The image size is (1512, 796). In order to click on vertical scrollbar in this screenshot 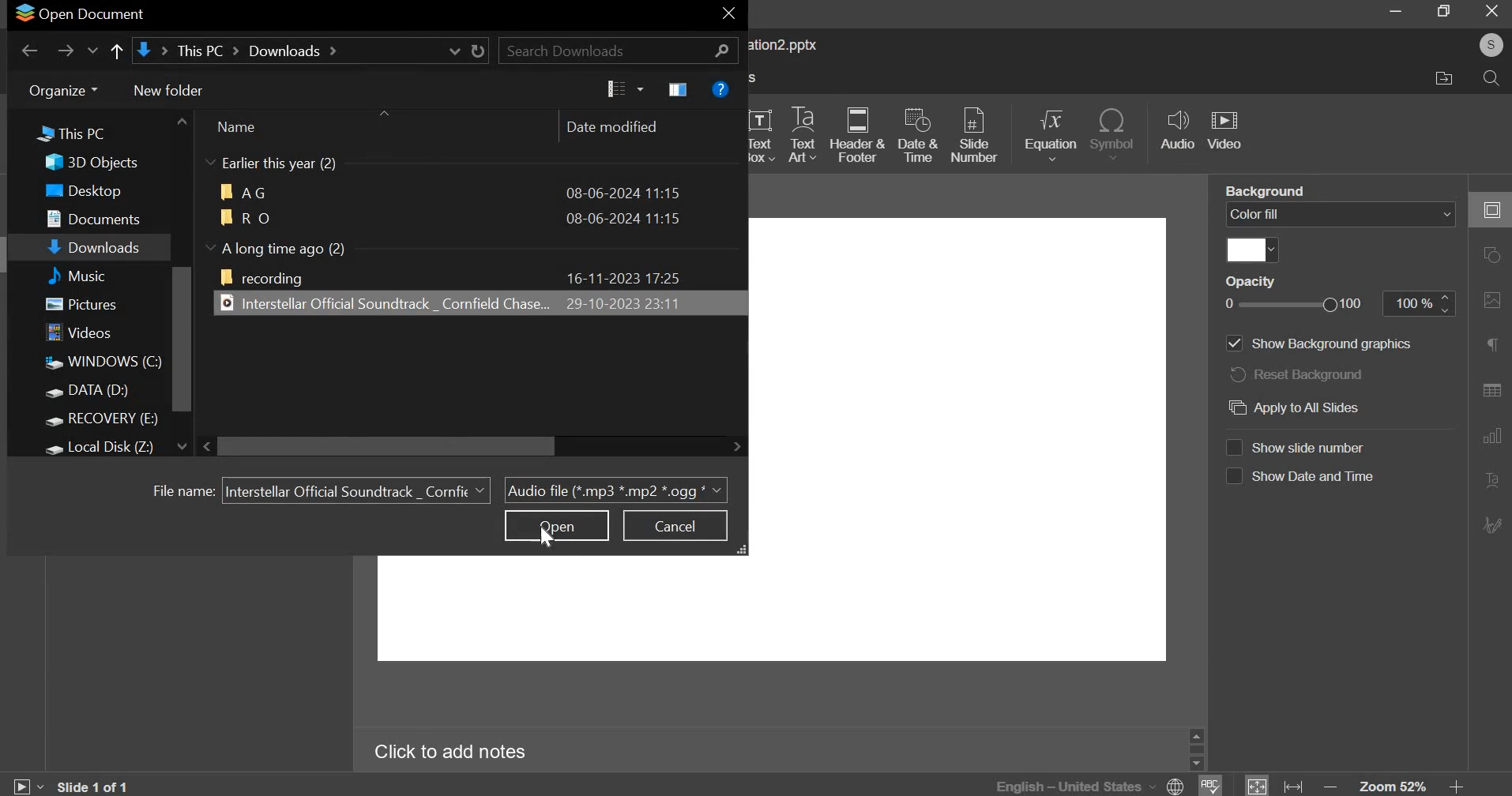, I will do `click(182, 340)`.